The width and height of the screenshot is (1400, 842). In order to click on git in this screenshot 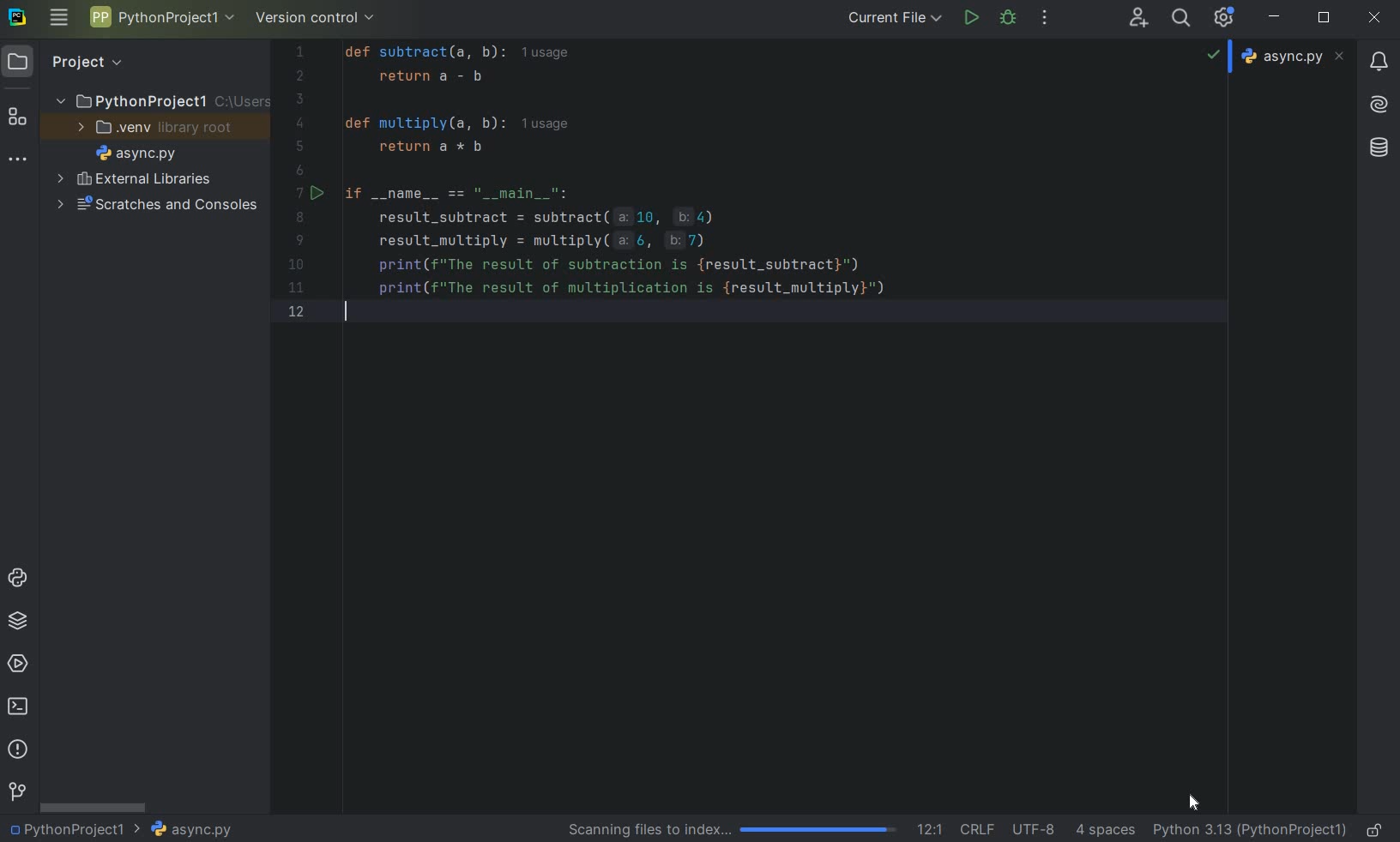, I will do `click(16, 792)`.